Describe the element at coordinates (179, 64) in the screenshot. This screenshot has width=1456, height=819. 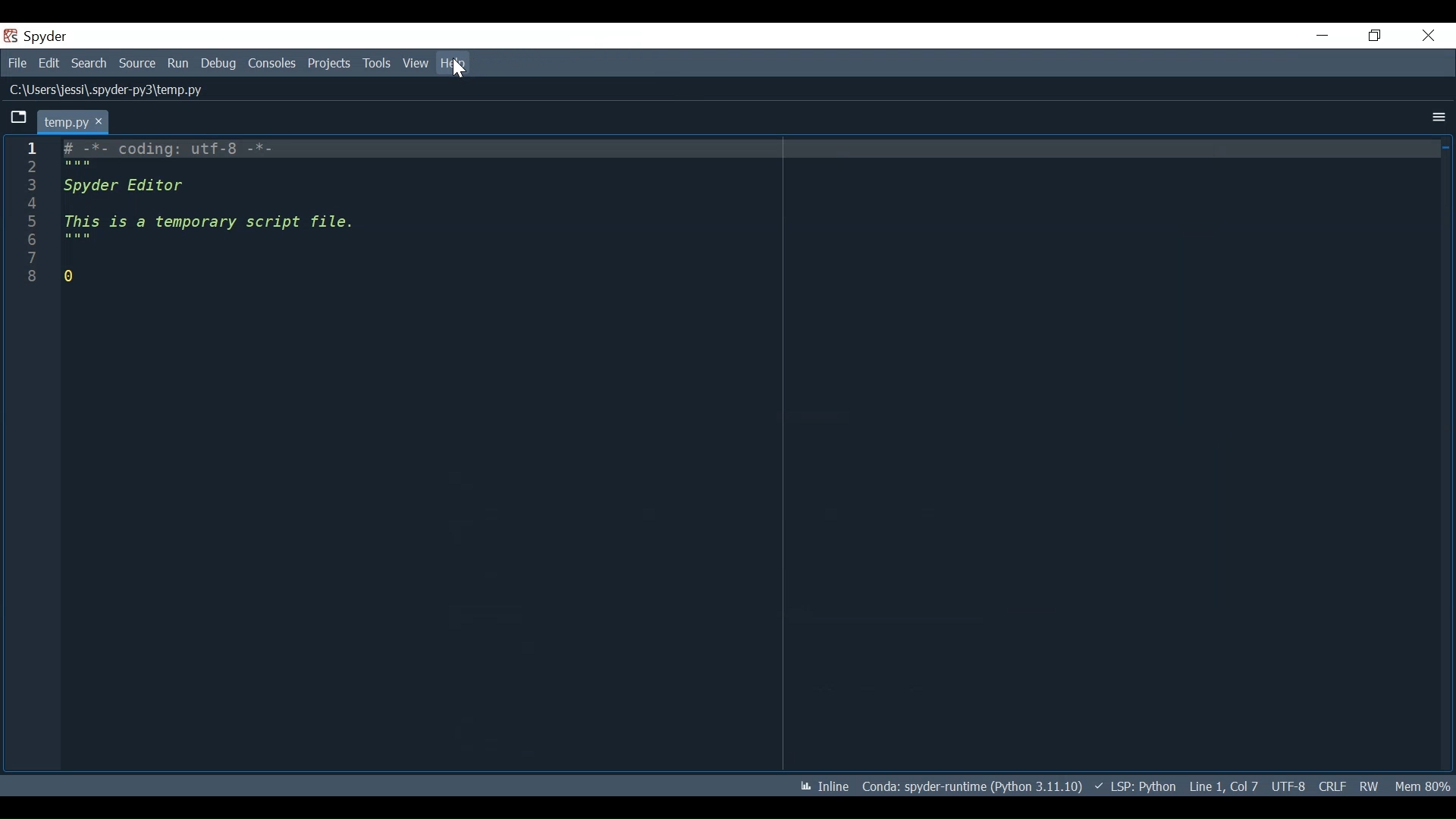
I see `Run` at that location.